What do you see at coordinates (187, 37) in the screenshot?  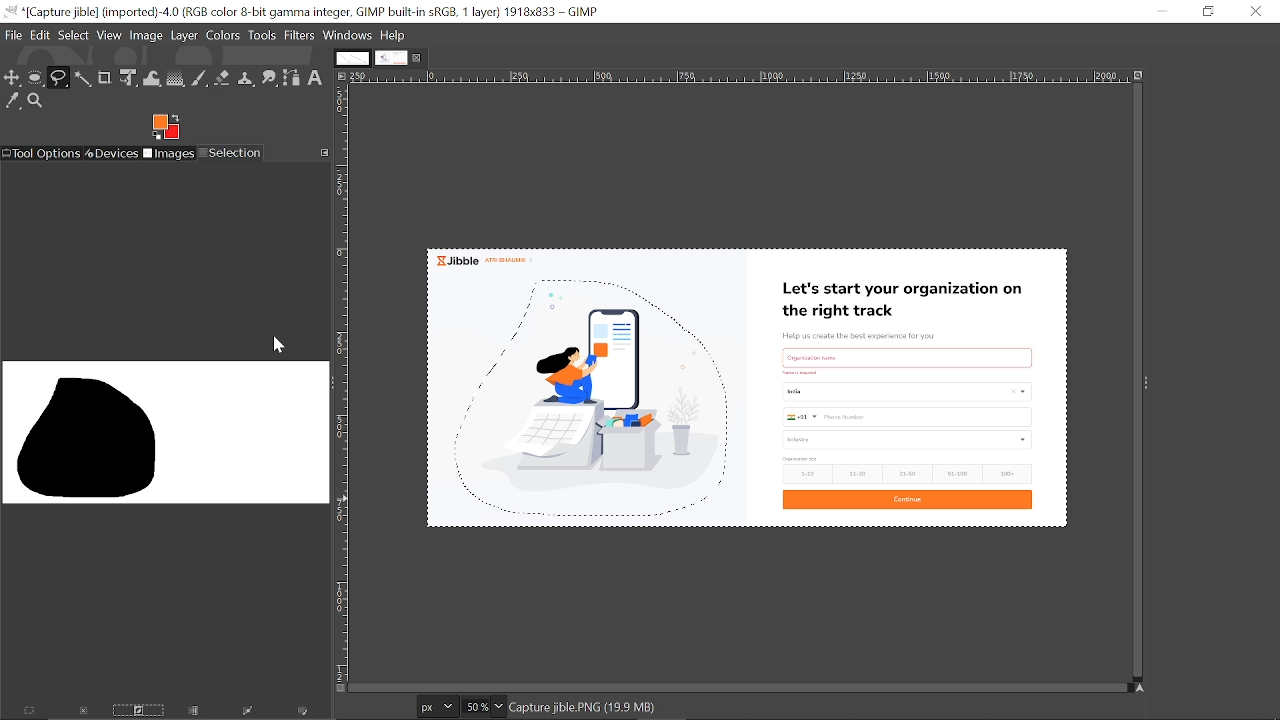 I see `Layer` at bounding box center [187, 37].